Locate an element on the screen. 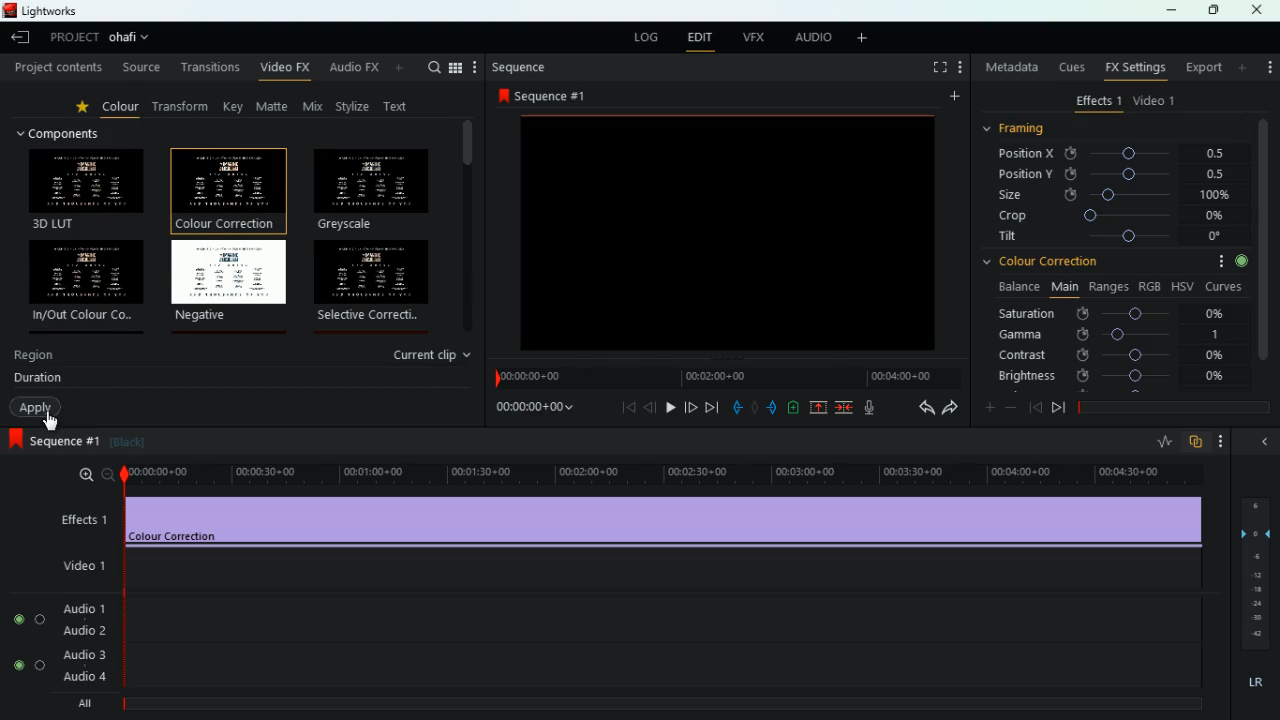 This screenshot has height=720, width=1280. more is located at coordinates (863, 38).